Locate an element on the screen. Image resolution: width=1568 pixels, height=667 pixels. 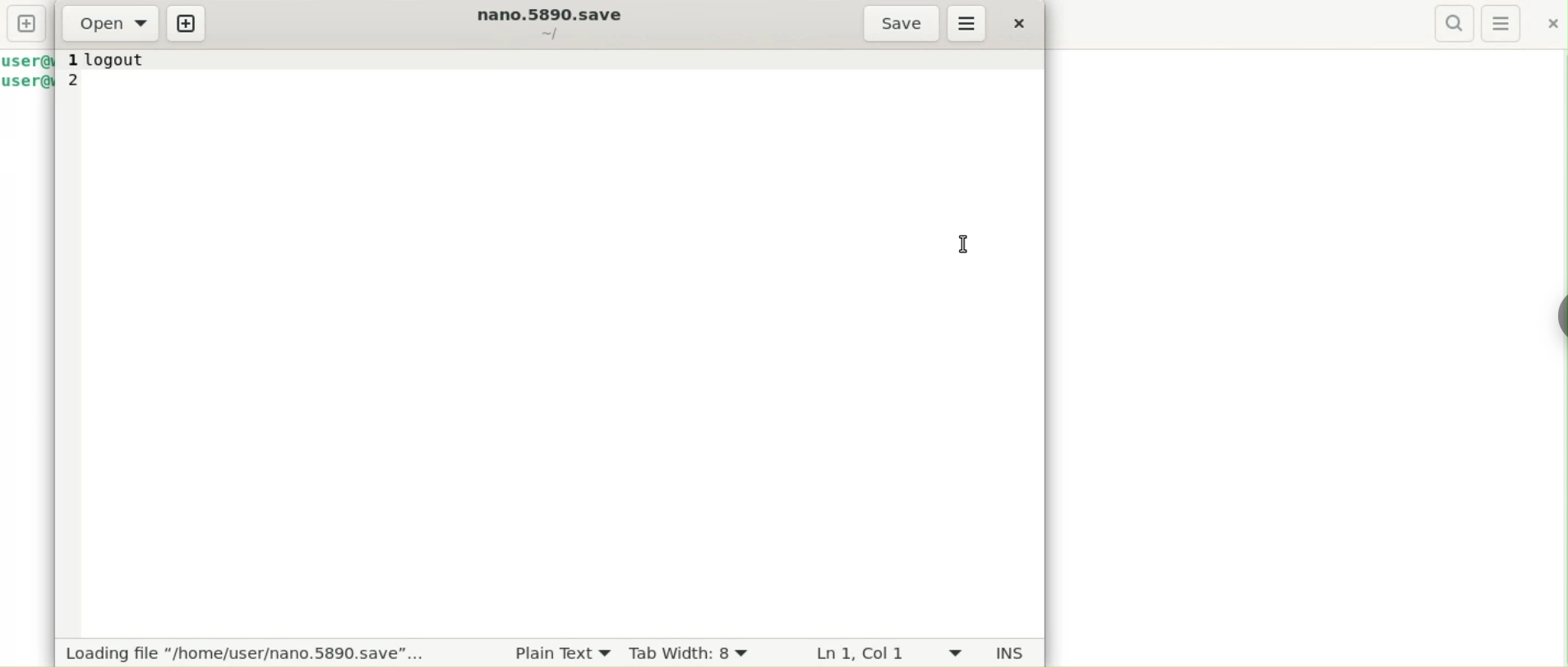
Save is located at coordinates (899, 23).